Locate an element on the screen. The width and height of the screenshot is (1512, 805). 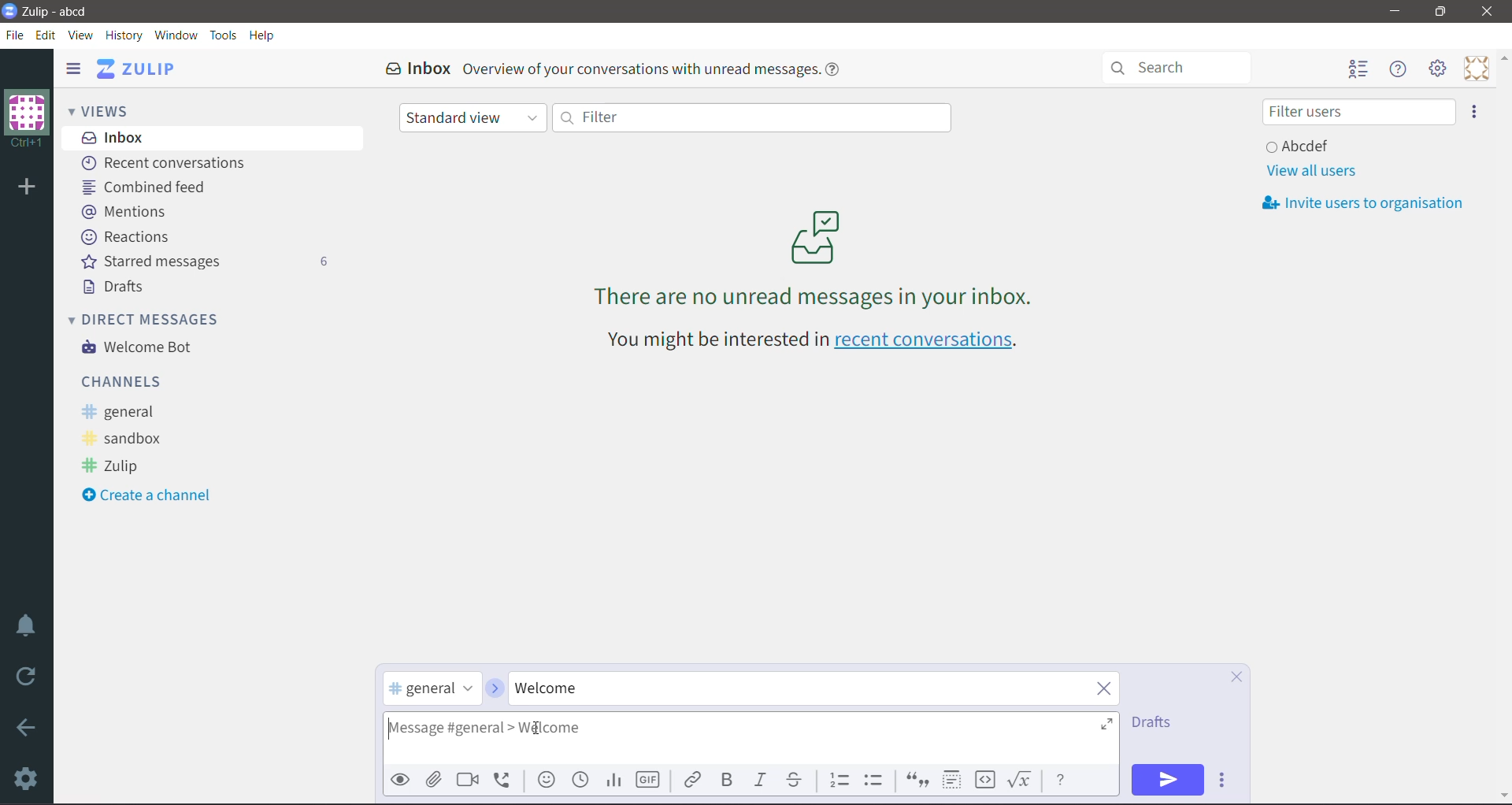
Main Menu is located at coordinates (1439, 69).